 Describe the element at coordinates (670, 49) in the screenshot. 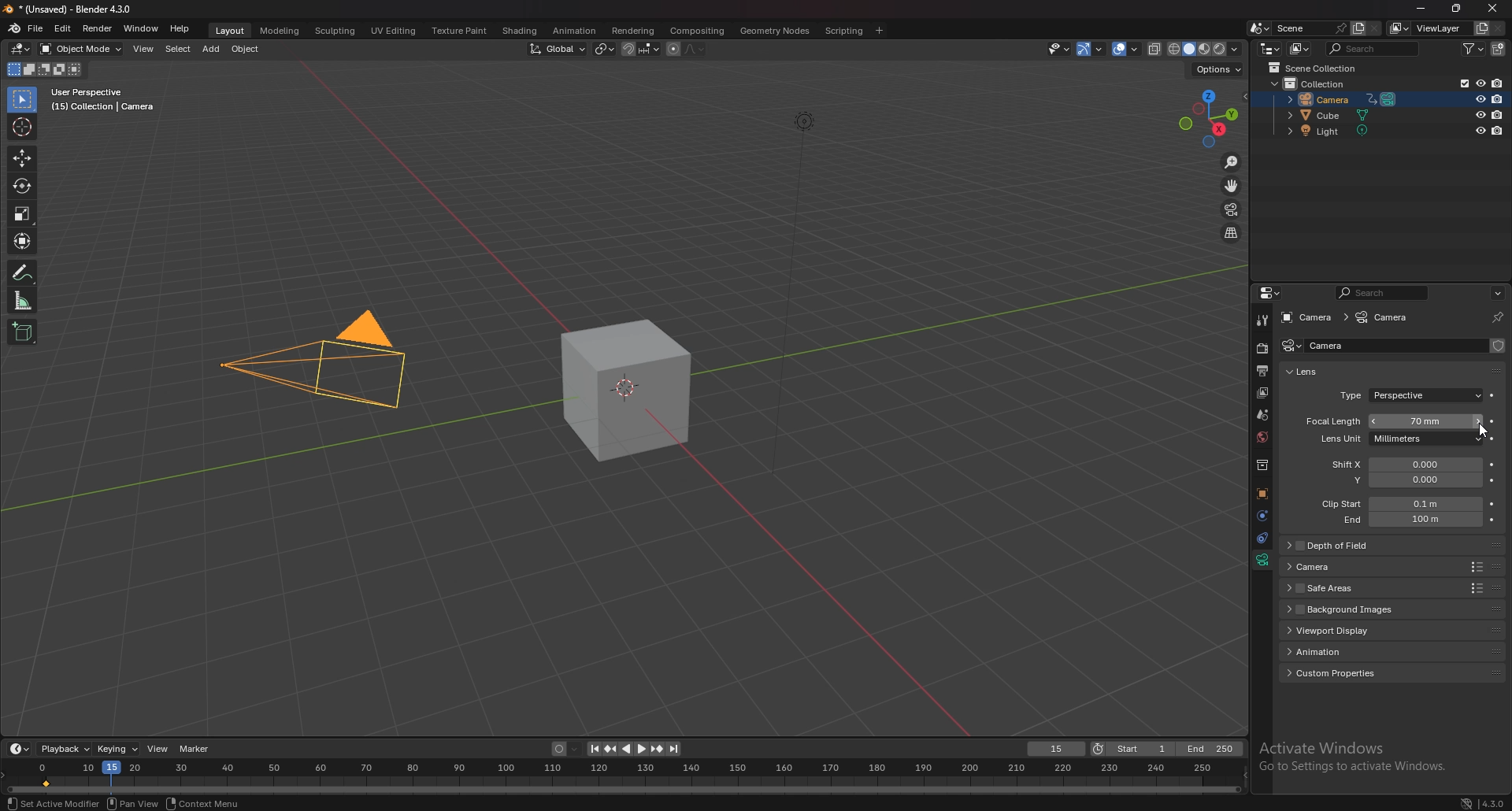

I see `proportional editing objects` at that location.